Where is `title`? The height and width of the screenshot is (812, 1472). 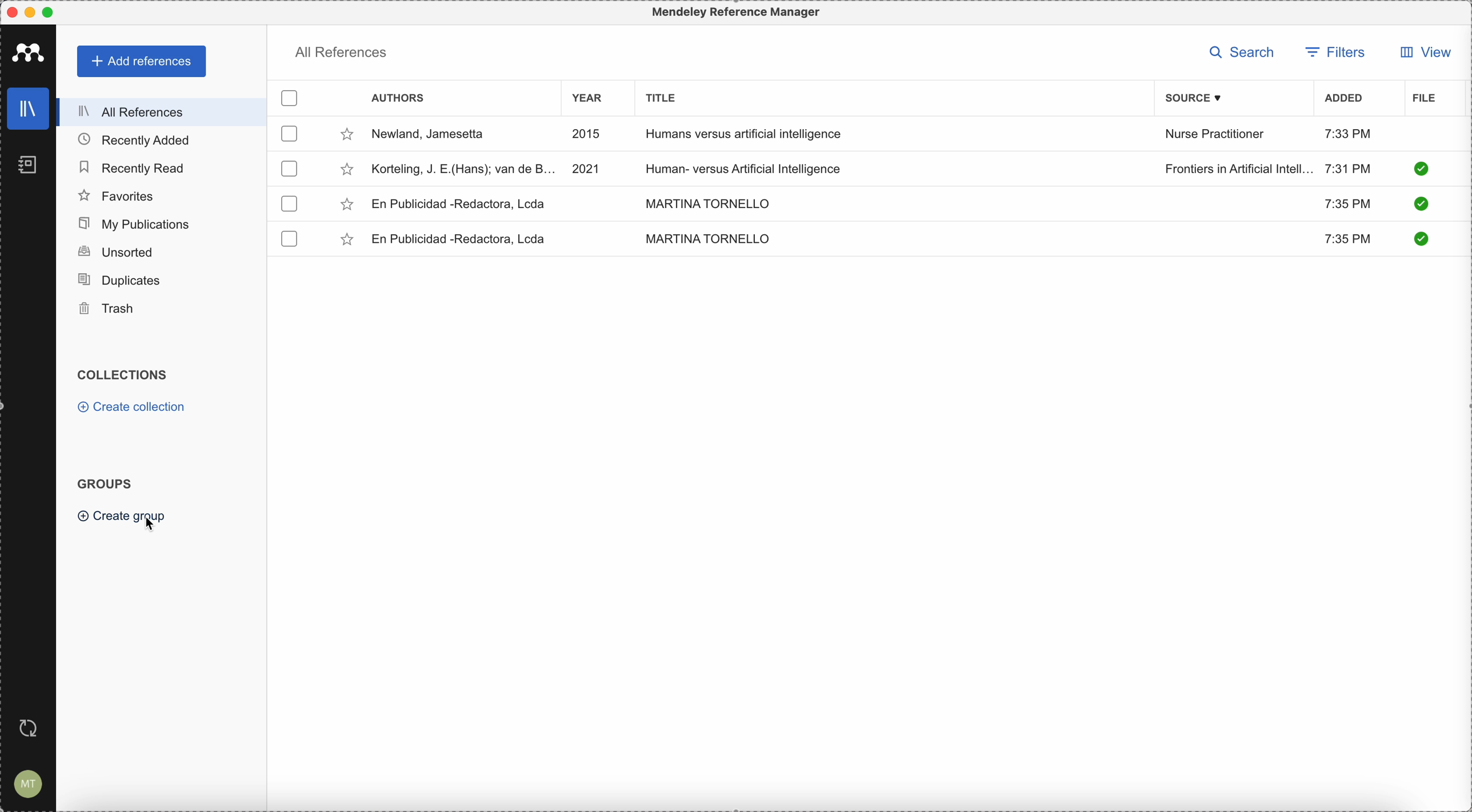 title is located at coordinates (658, 97).